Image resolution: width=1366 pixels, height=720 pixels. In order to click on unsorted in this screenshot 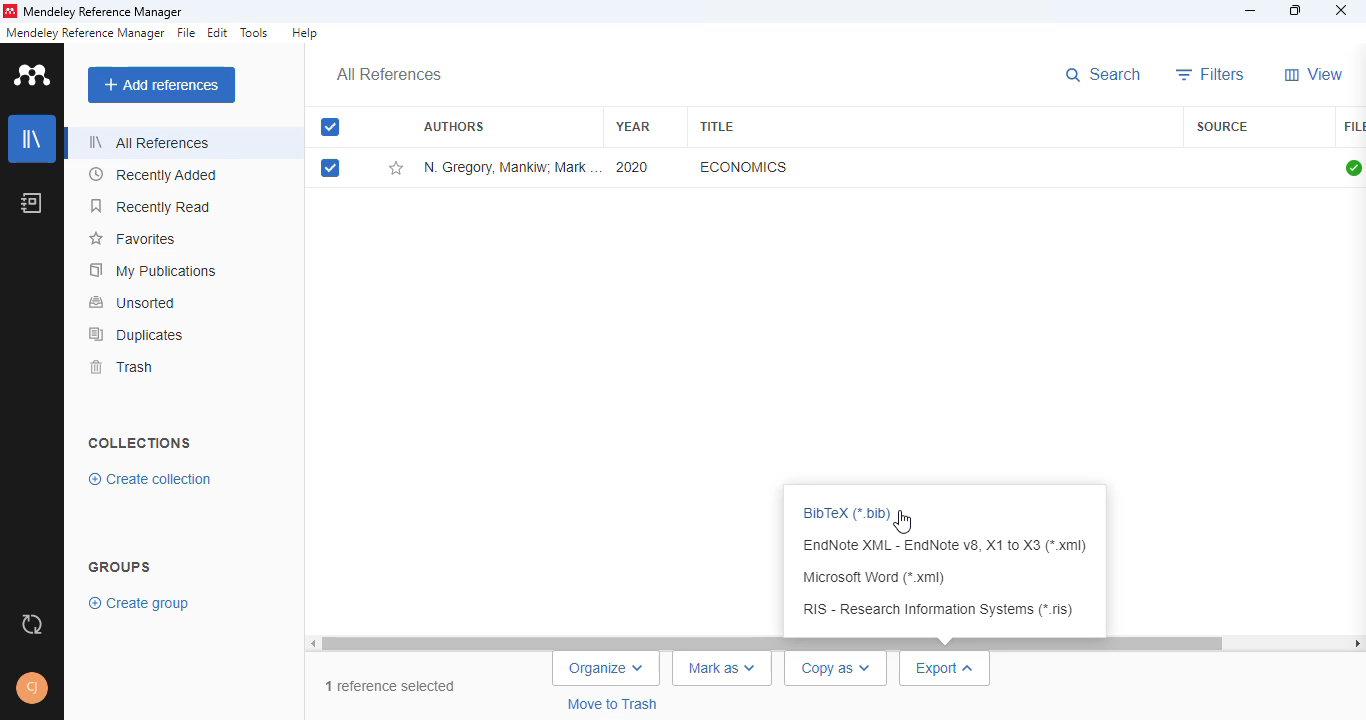, I will do `click(134, 302)`.